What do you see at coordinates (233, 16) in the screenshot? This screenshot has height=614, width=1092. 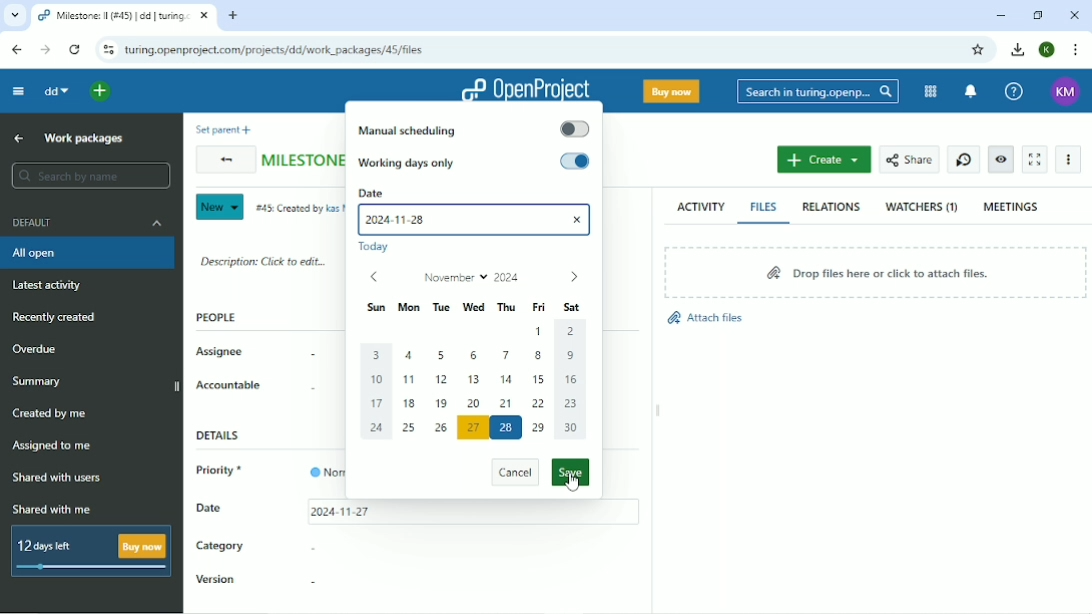 I see `New tab` at bounding box center [233, 16].